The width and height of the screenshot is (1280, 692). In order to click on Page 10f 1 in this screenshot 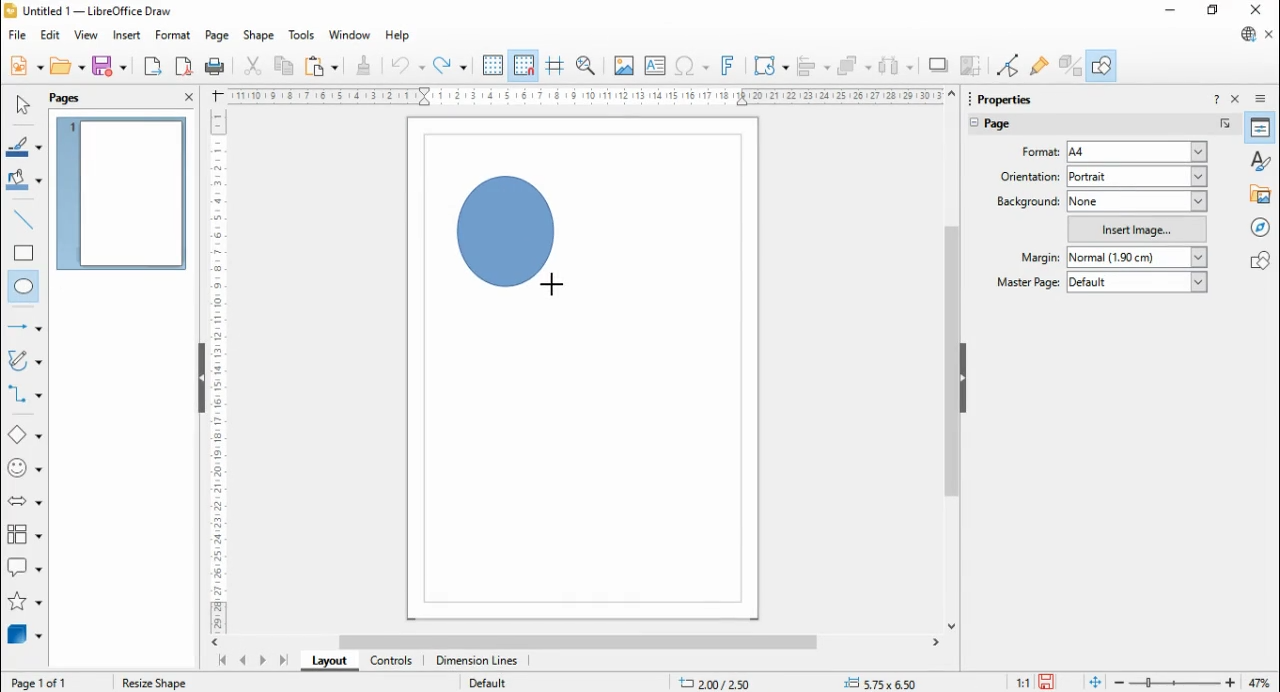, I will do `click(41, 682)`.